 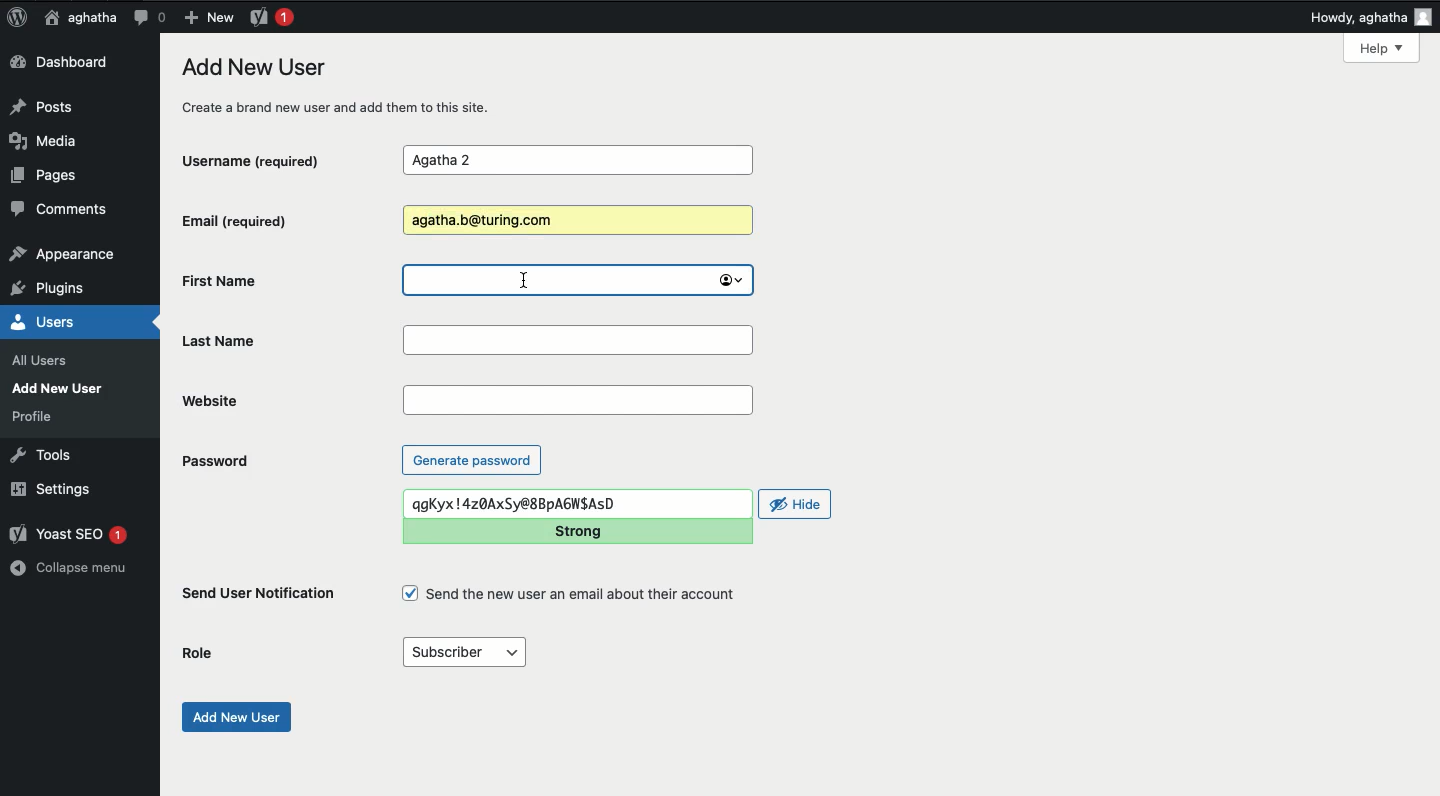 I want to click on Send user notification , so click(x=260, y=597).